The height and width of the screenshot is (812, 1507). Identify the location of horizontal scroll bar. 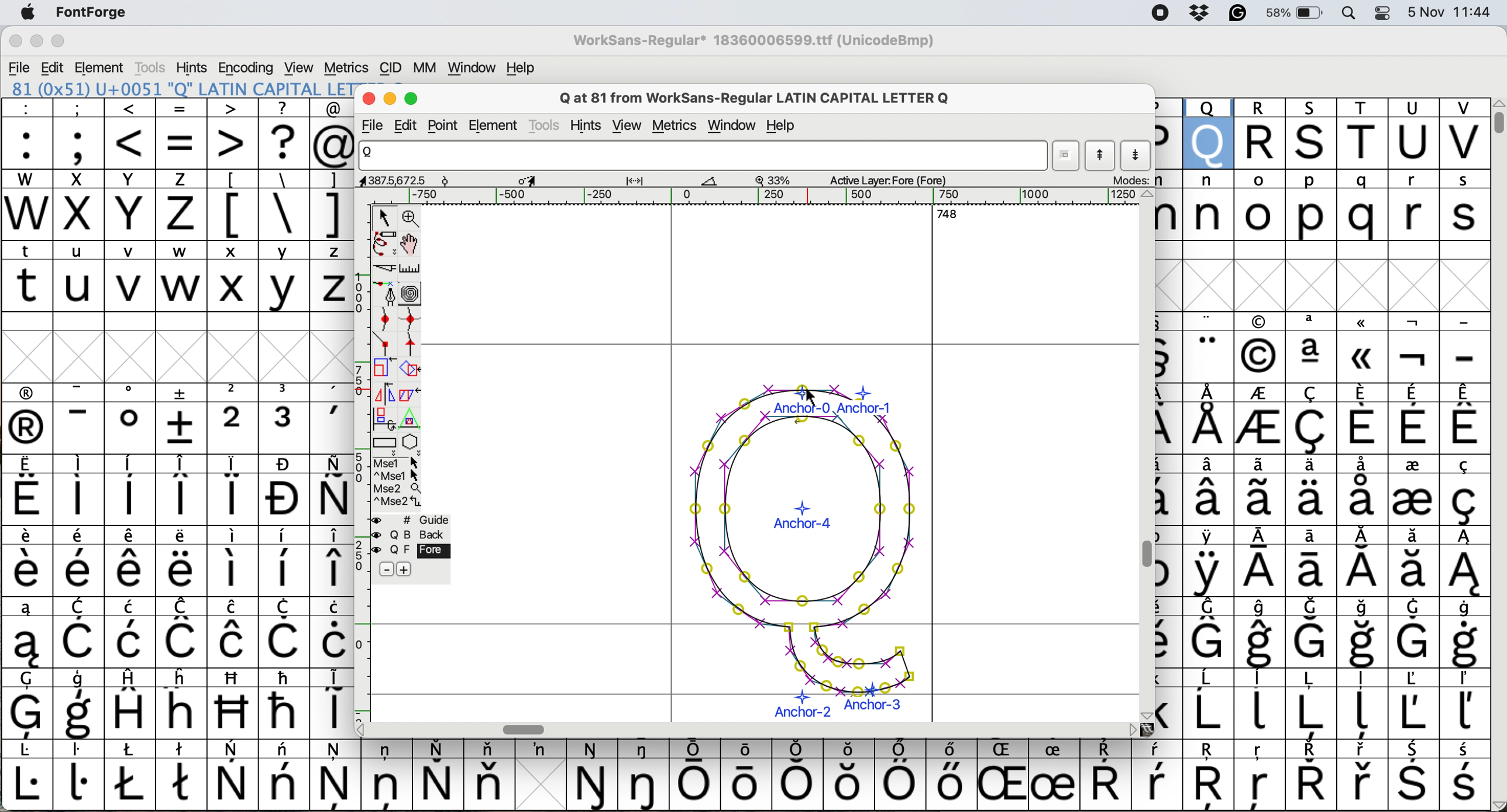
(767, 197).